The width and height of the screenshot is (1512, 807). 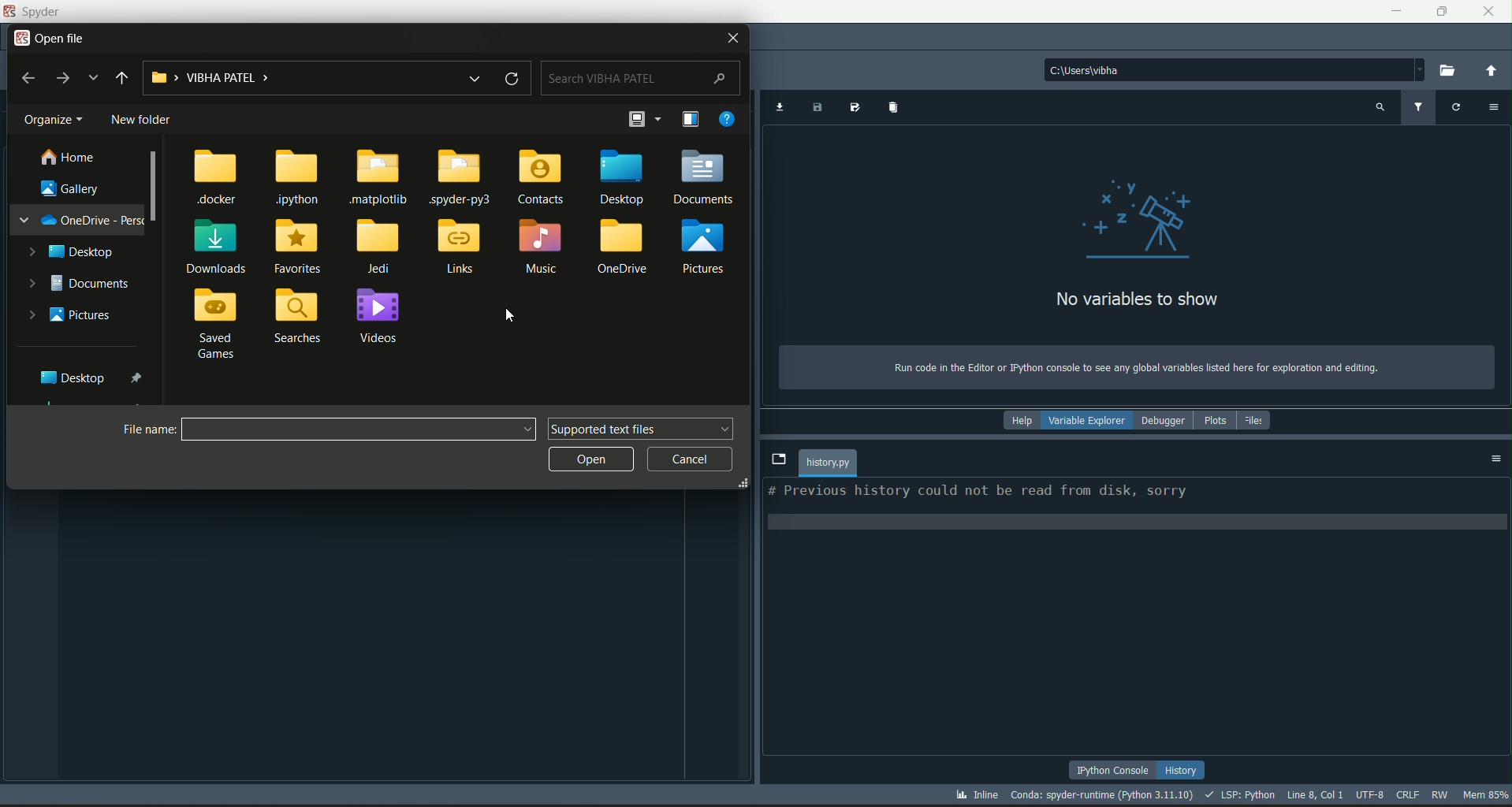 What do you see at coordinates (779, 109) in the screenshot?
I see `import data` at bounding box center [779, 109].